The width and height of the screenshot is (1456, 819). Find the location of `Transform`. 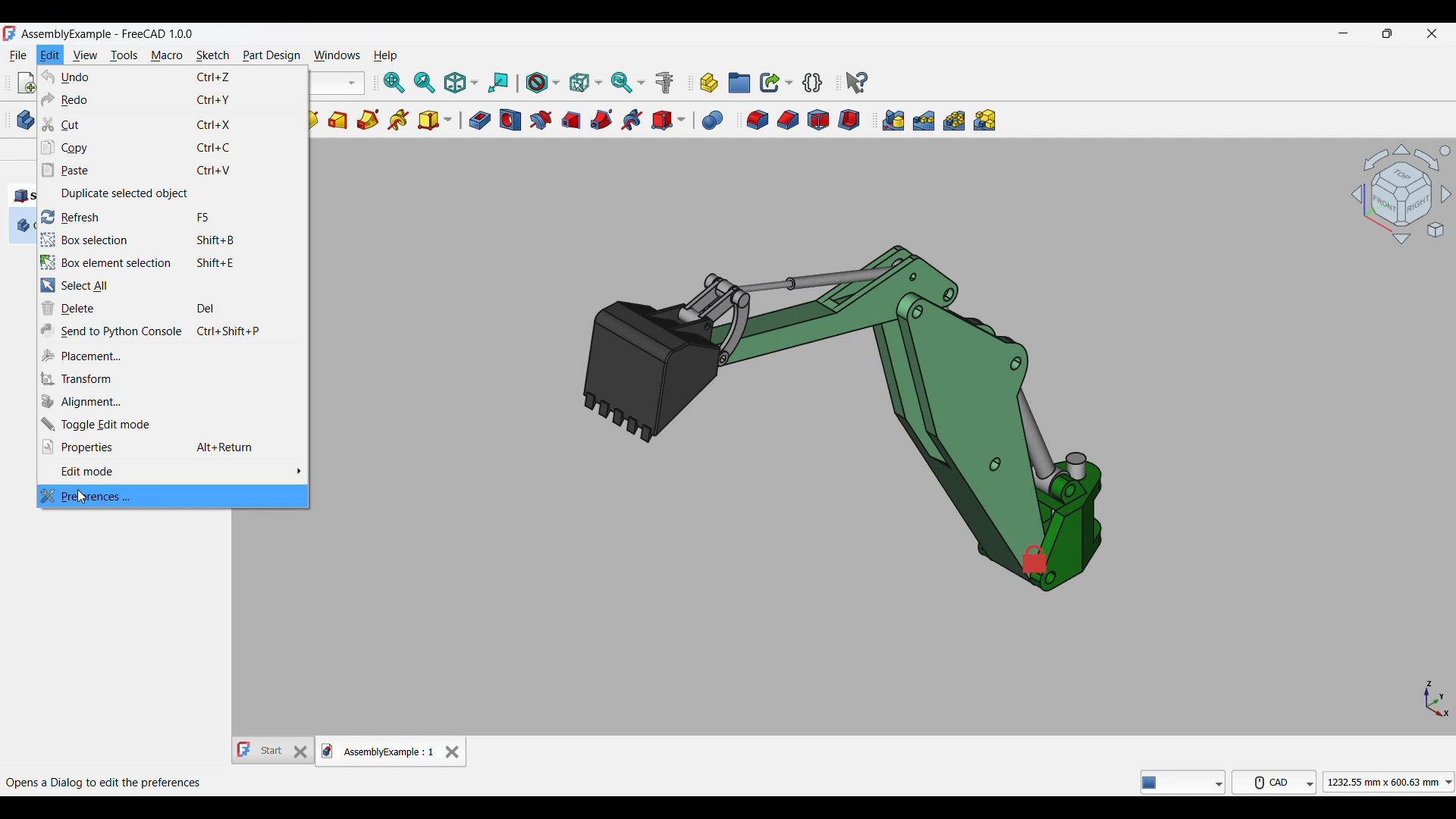

Transform is located at coordinates (172, 379).